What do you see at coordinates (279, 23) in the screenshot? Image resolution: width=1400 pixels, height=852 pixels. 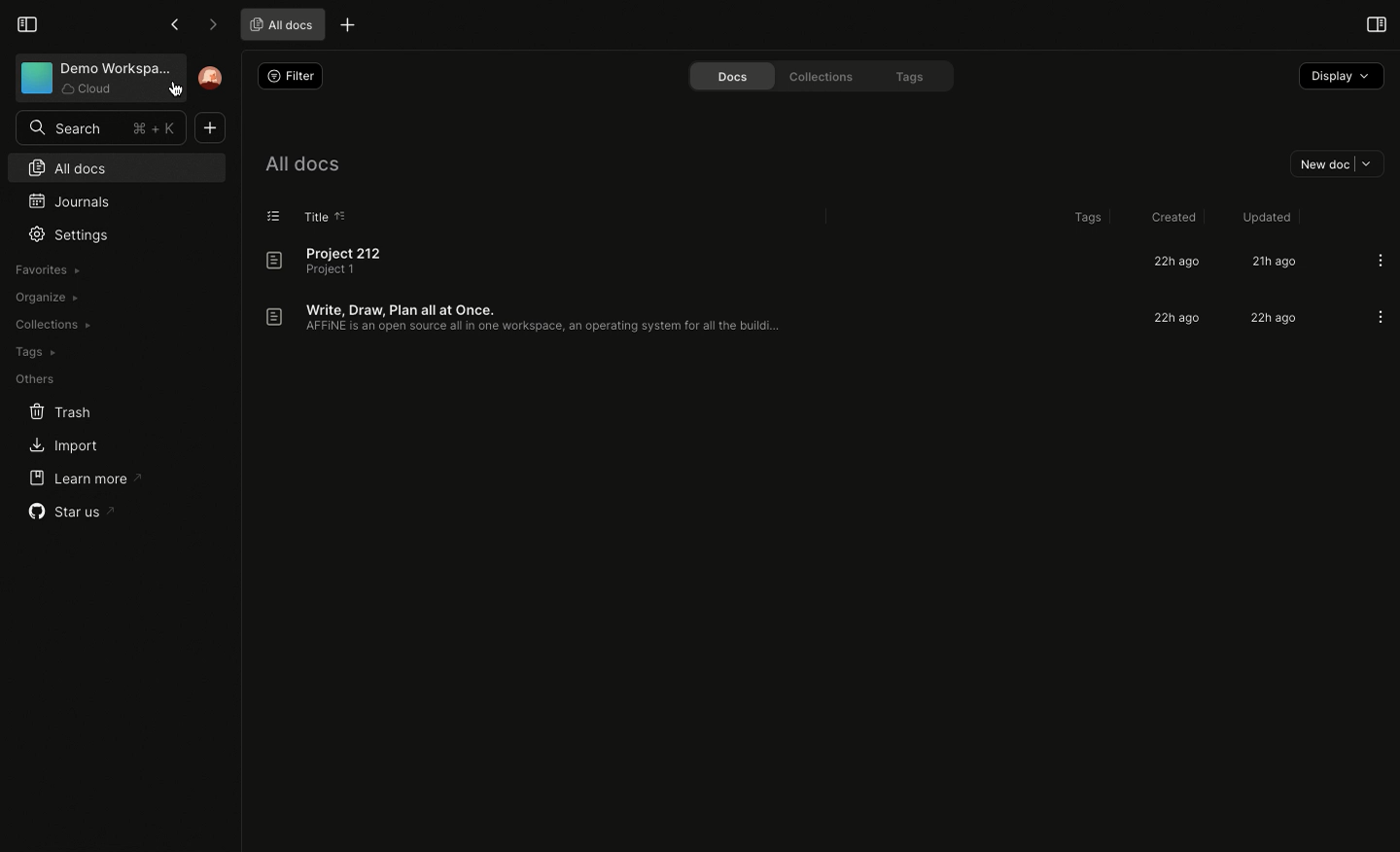 I see `All docs` at bounding box center [279, 23].